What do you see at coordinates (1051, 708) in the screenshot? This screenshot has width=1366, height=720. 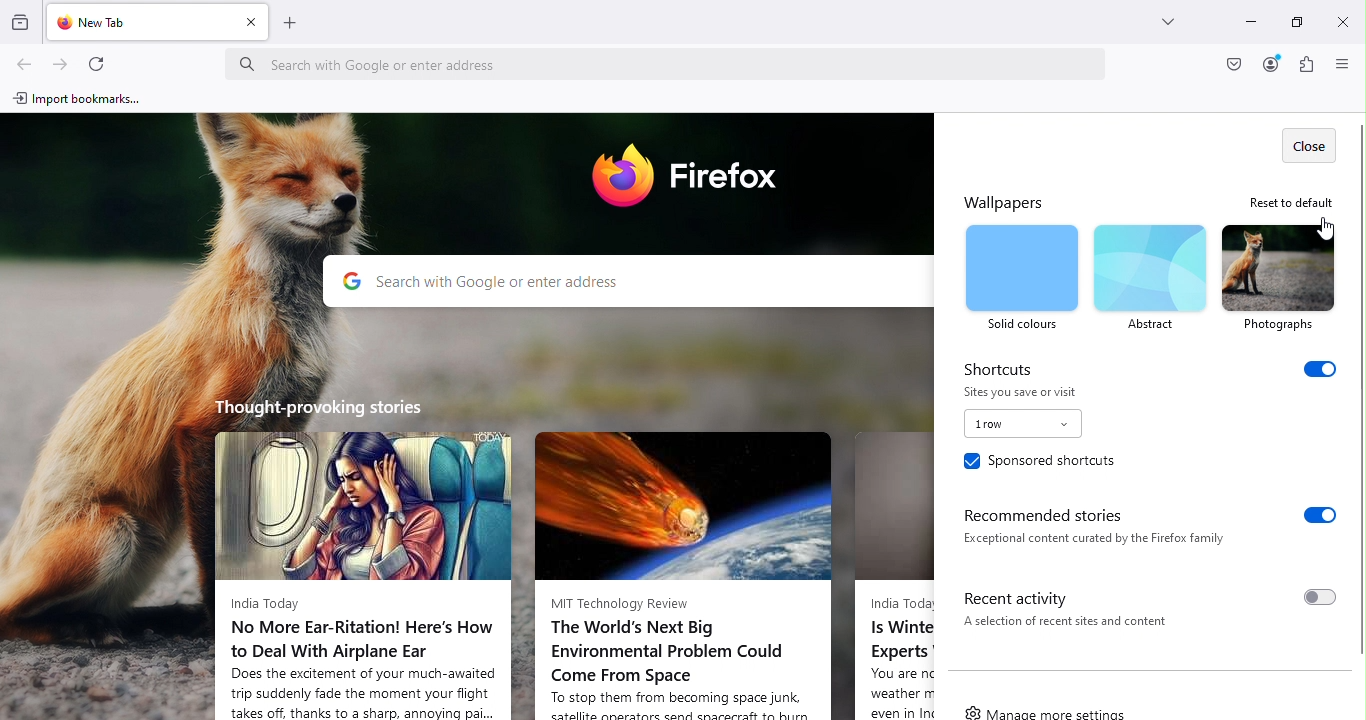 I see `Manage more settings` at bounding box center [1051, 708].